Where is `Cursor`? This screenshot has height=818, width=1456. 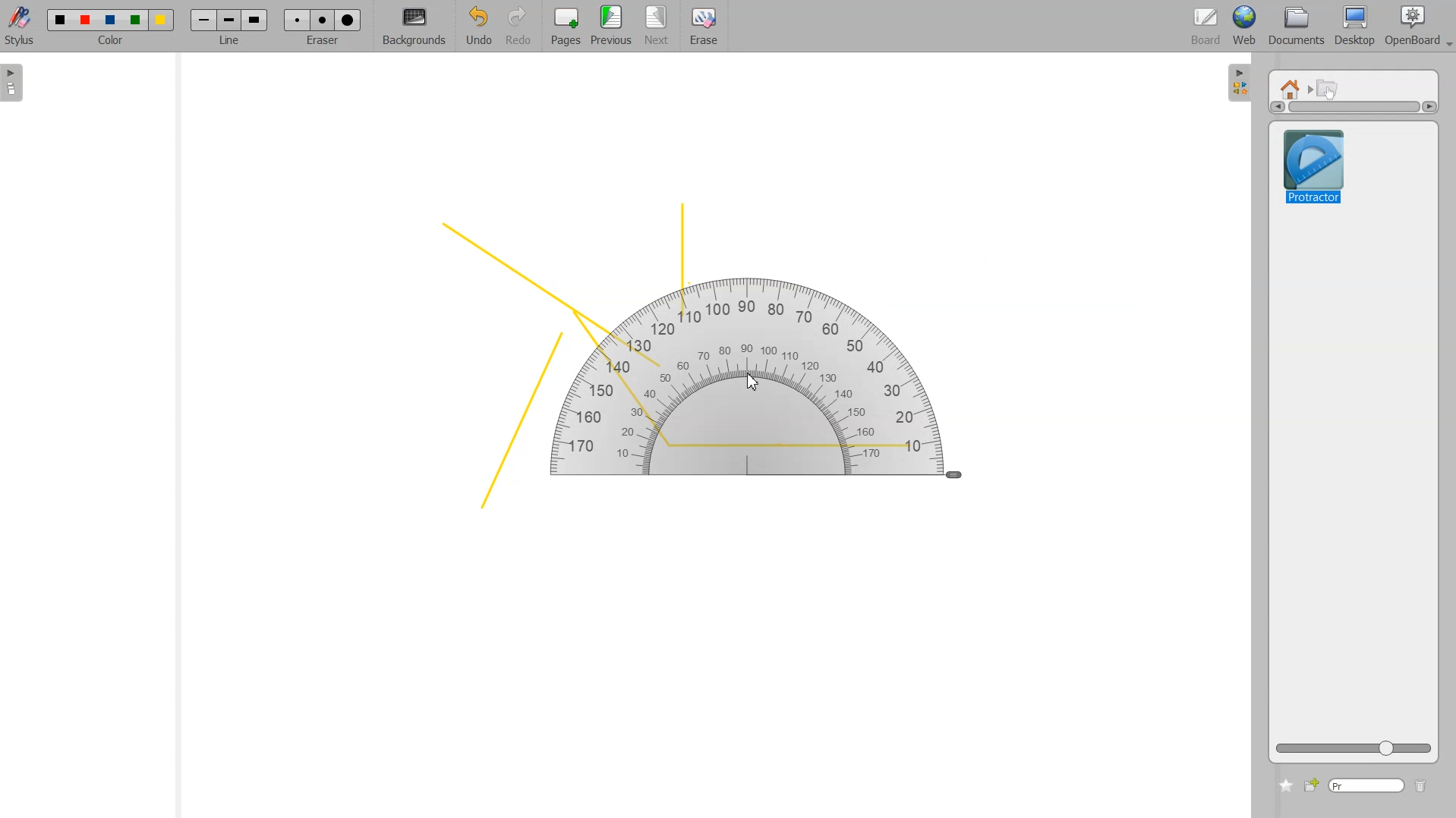
Cursor is located at coordinates (753, 380).